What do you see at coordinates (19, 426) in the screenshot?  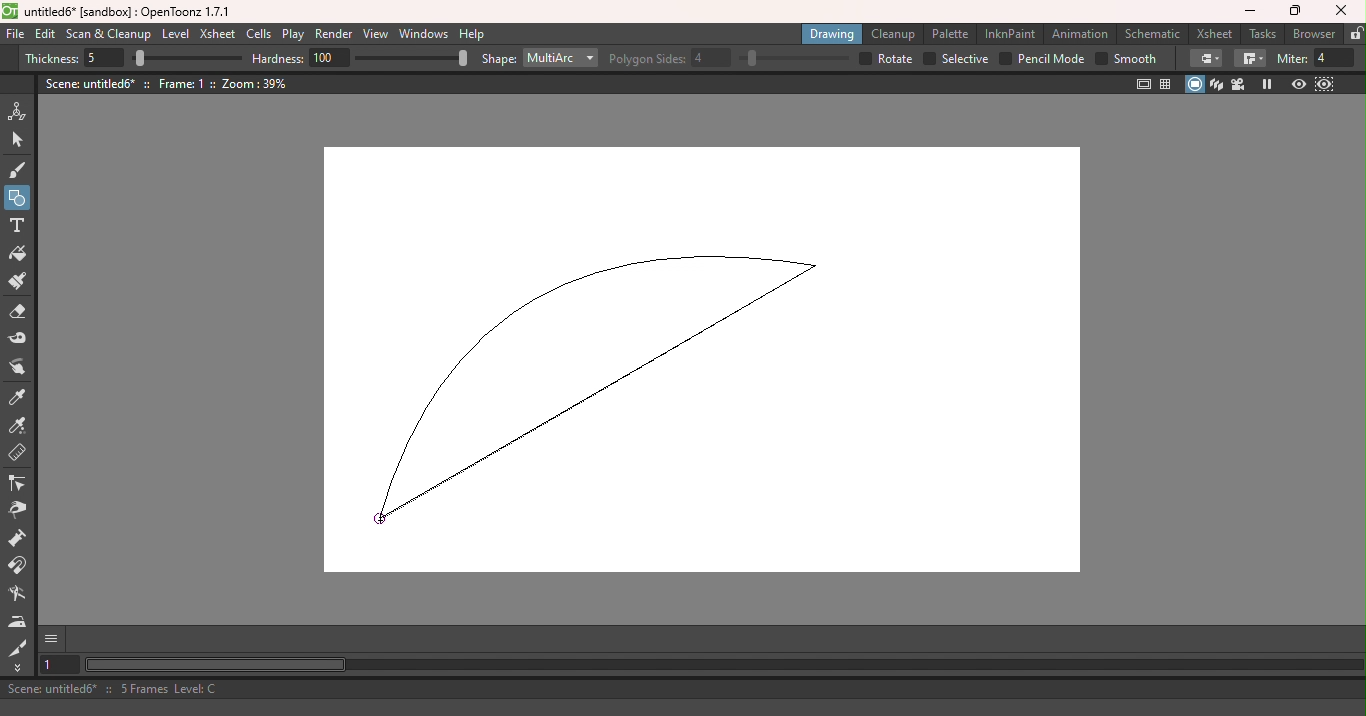 I see `RGB picker tool` at bounding box center [19, 426].